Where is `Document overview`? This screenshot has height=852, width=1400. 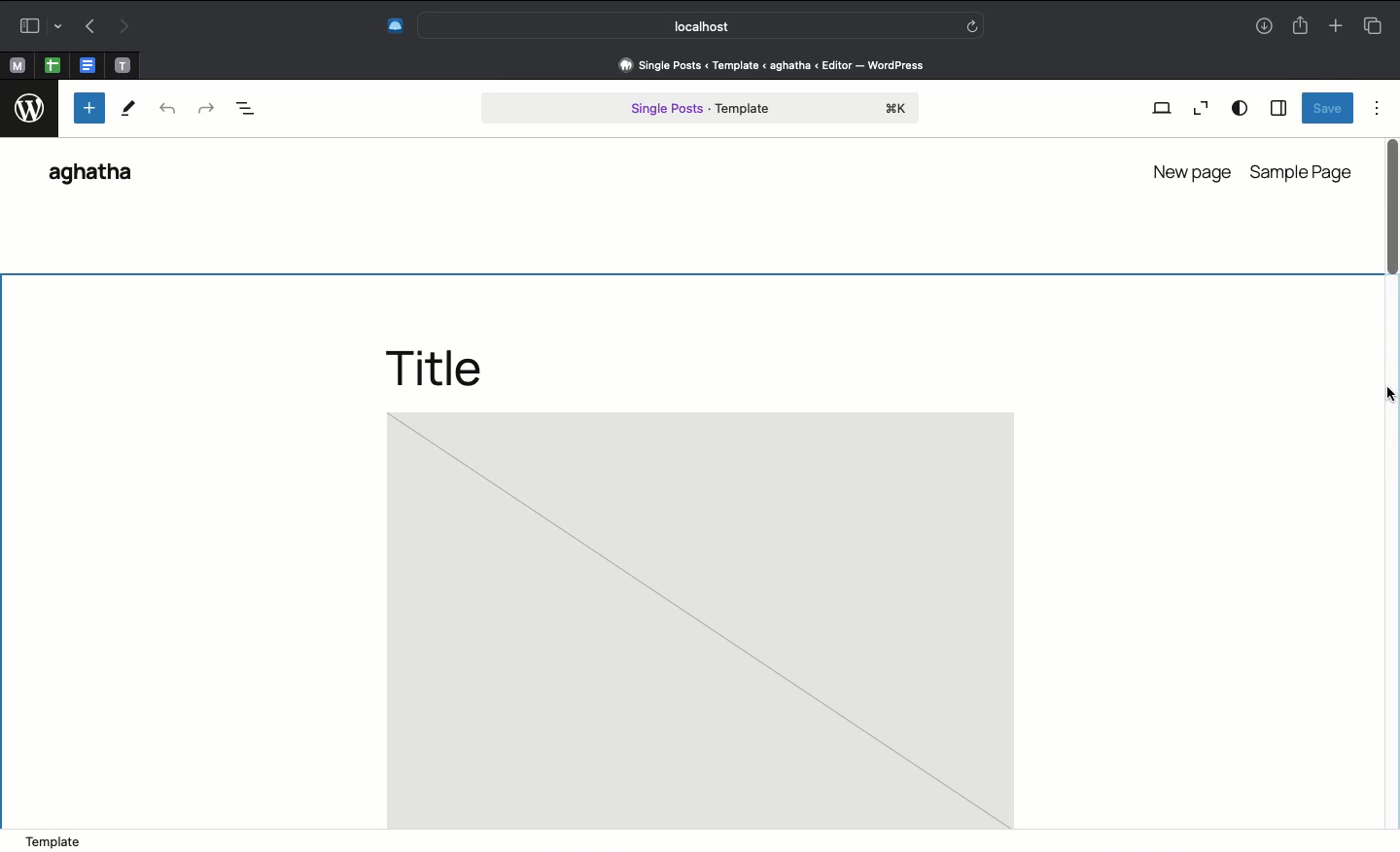 Document overview is located at coordinates (256, 109).